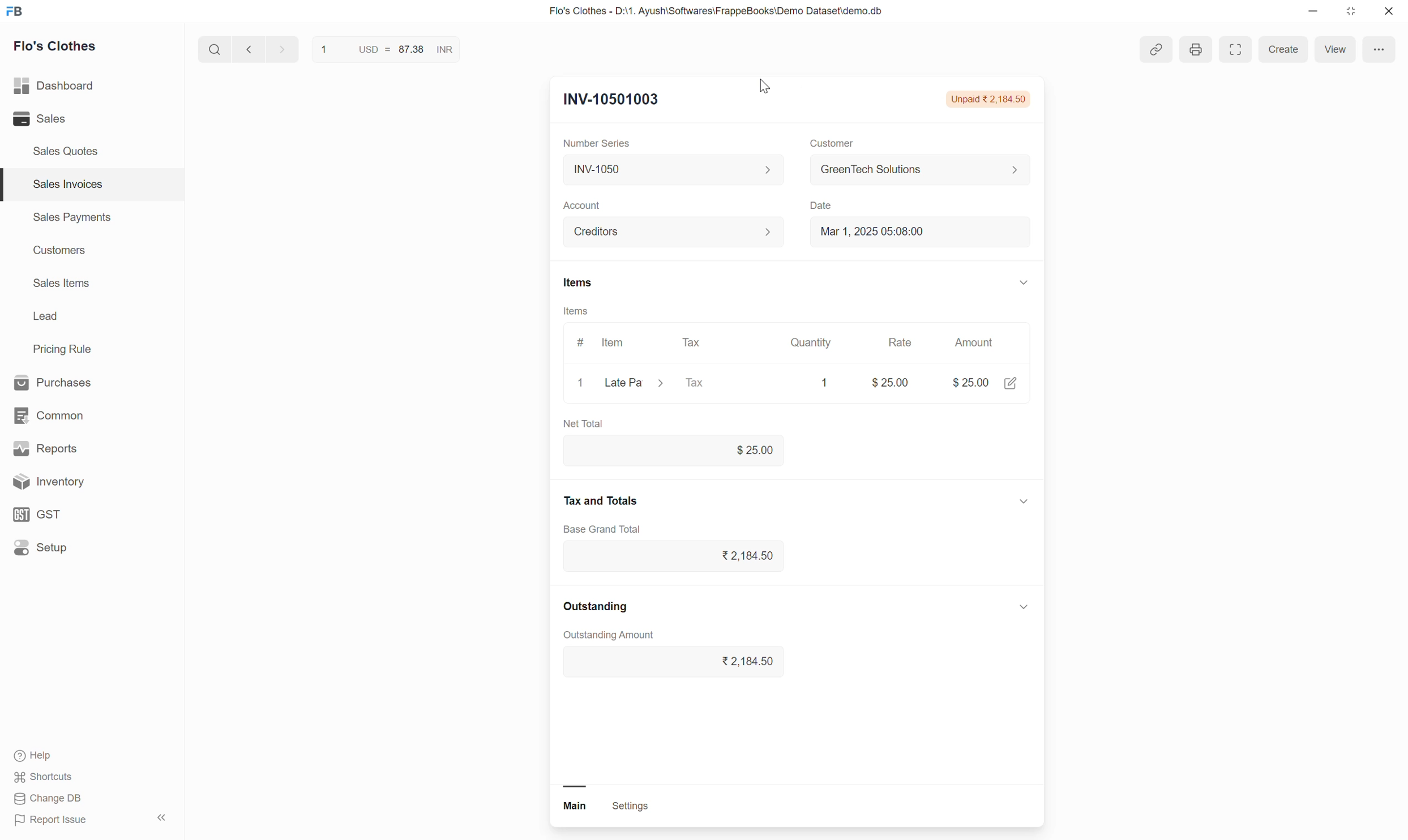 This screenshot has height=840, width=1408. What do you see at coordinates (808, 338) in the screenshot?
I see `Quantity` at bounding box center [808, 338].